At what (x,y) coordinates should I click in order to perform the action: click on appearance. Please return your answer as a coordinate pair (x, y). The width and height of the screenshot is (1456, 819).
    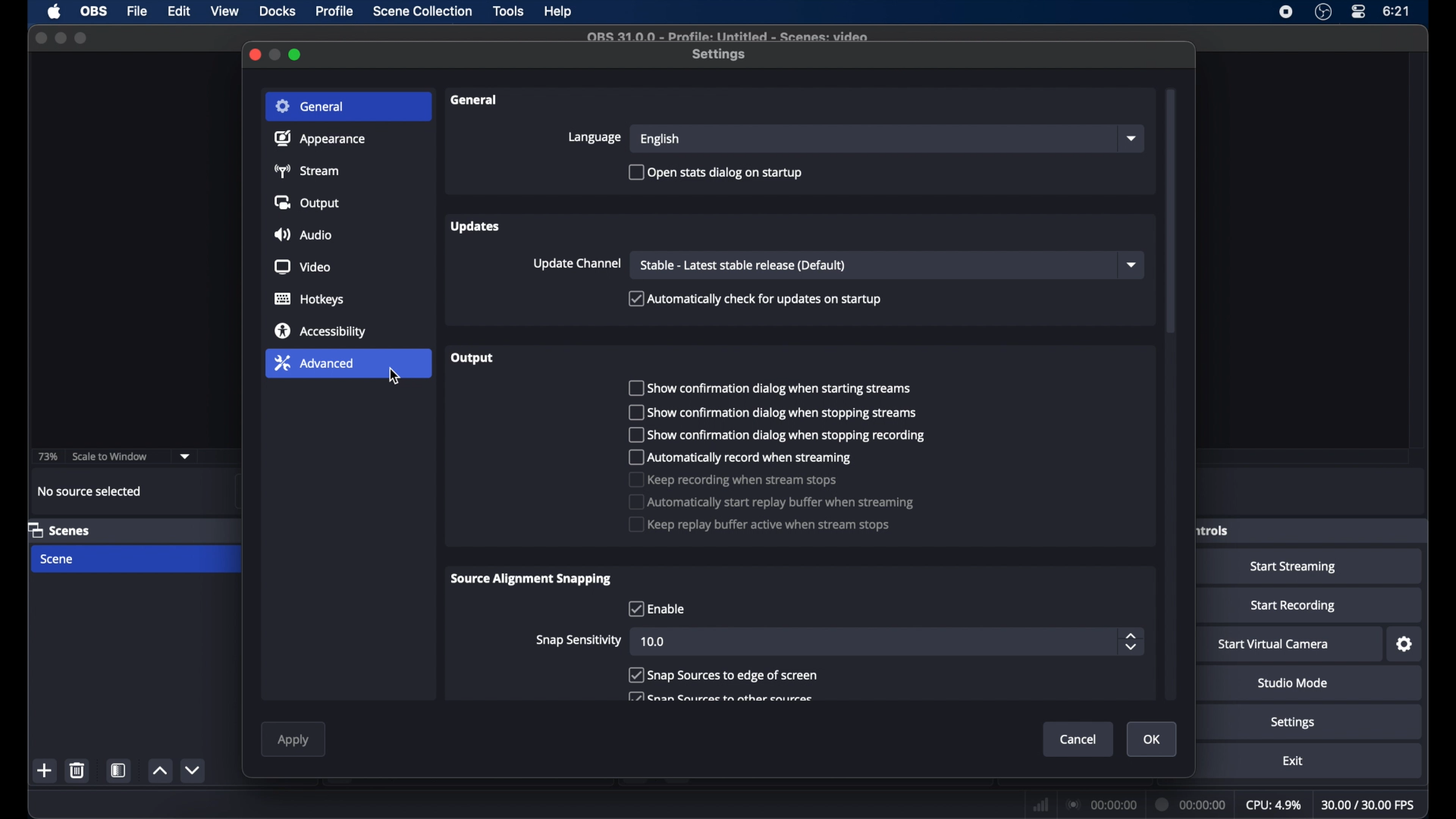
    Looking at the image, I should click on (320, 138).